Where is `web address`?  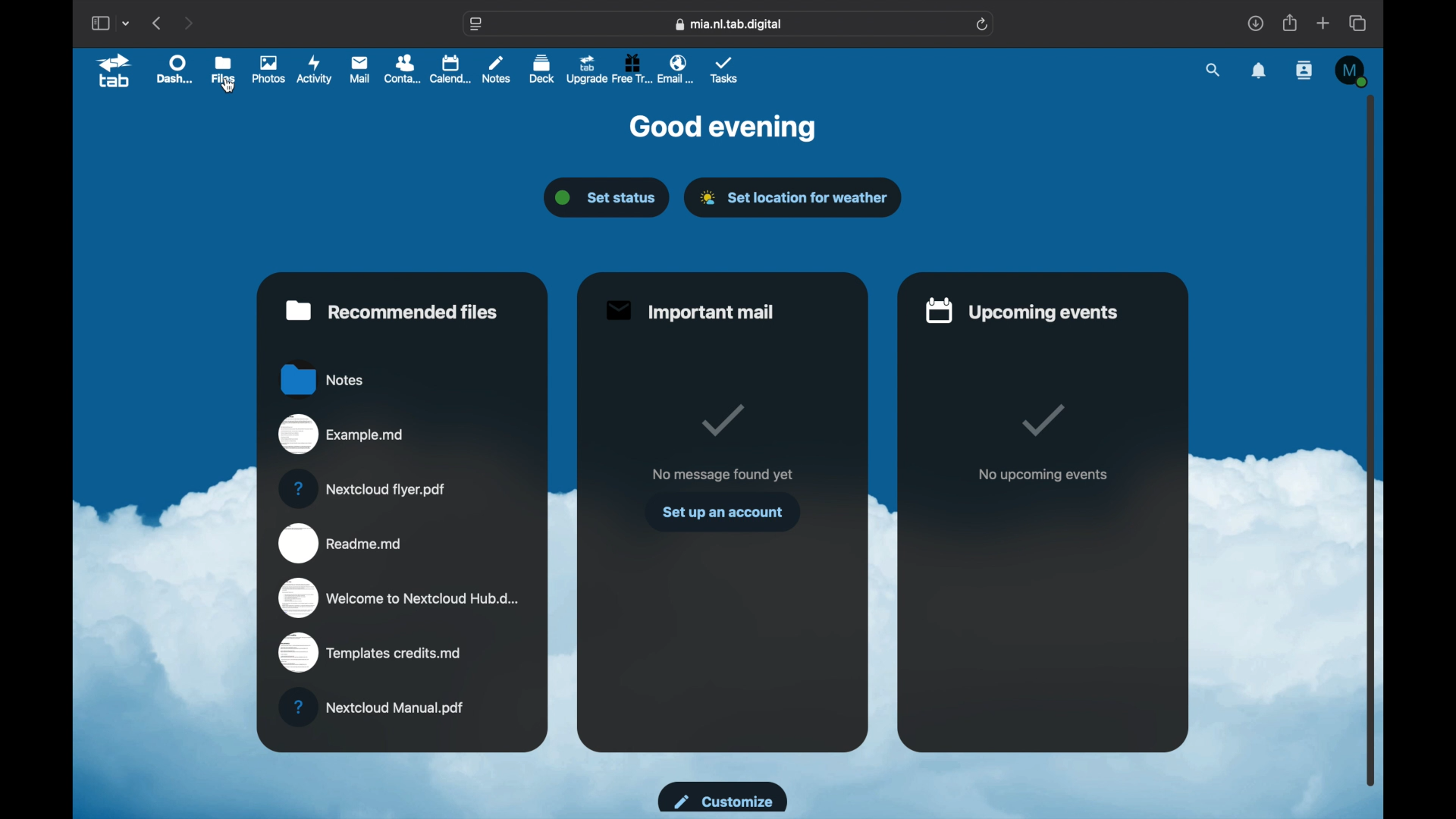 web address is located at coordinates (730, 25).